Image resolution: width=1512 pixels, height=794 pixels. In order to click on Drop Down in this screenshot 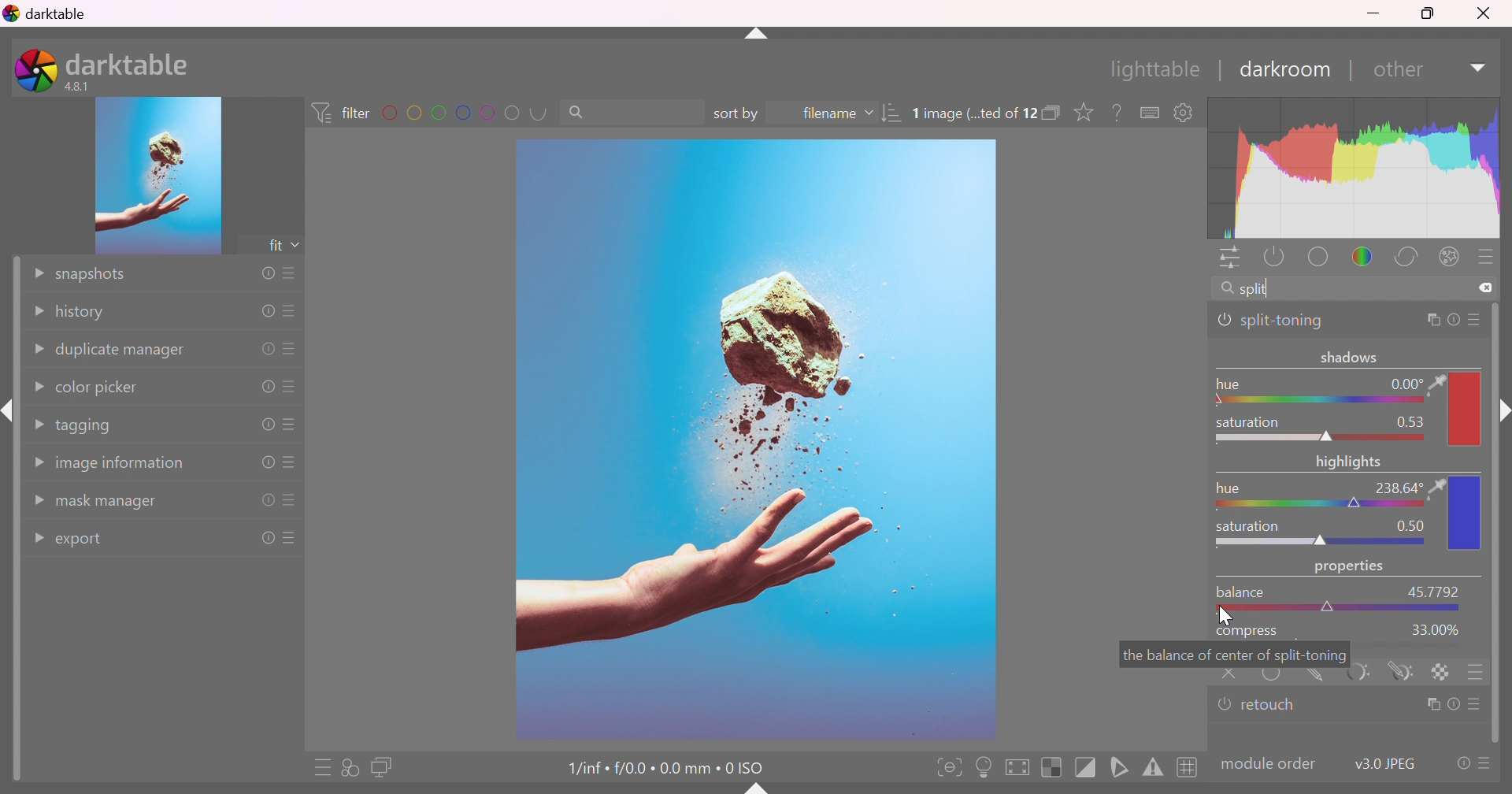, I will do `click(40, 348)`.